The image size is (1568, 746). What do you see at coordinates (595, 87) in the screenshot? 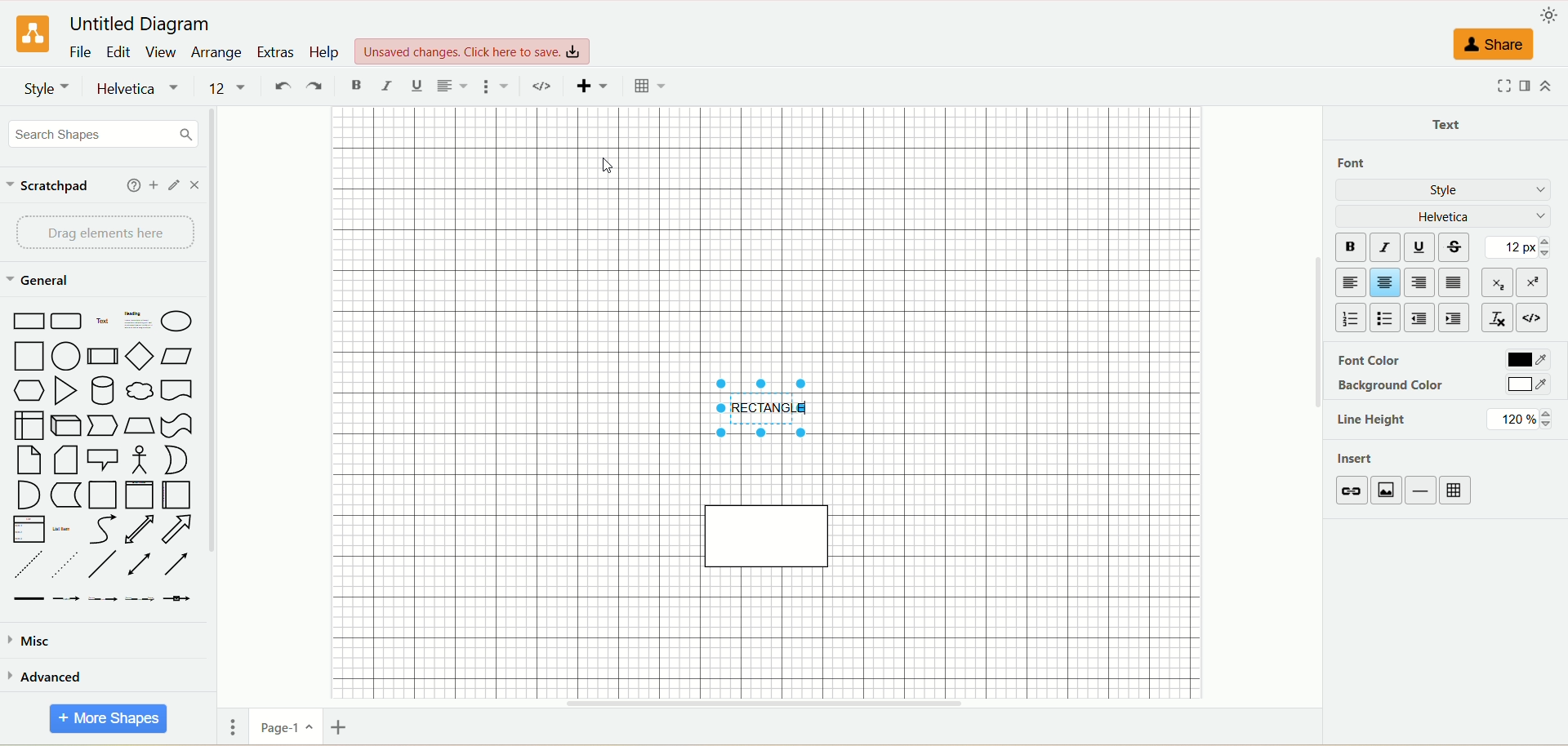
I see `insert` at bounding box center [595, 87].